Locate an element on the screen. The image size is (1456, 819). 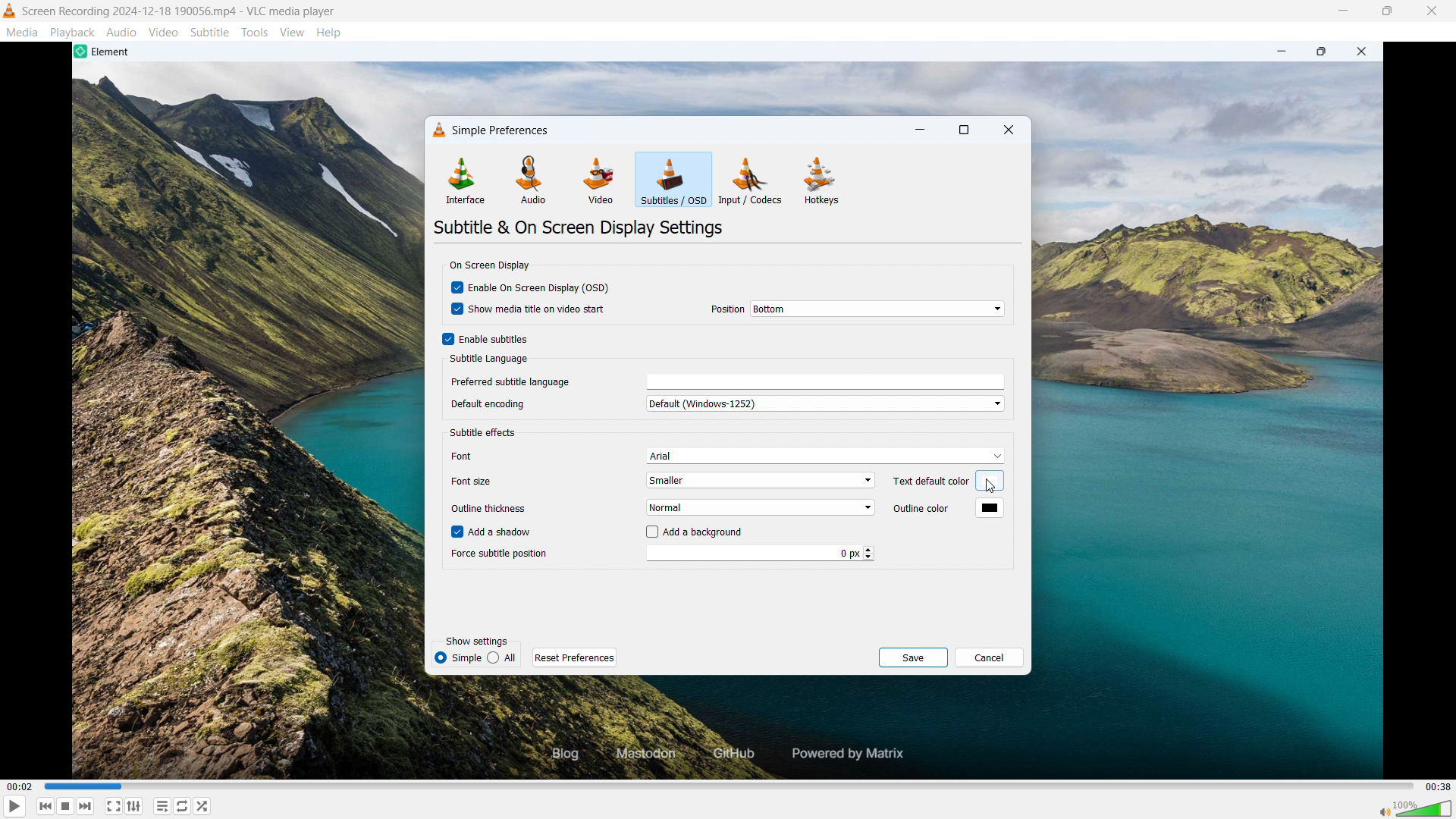
Add a background  is located at coordinates (704, 532).